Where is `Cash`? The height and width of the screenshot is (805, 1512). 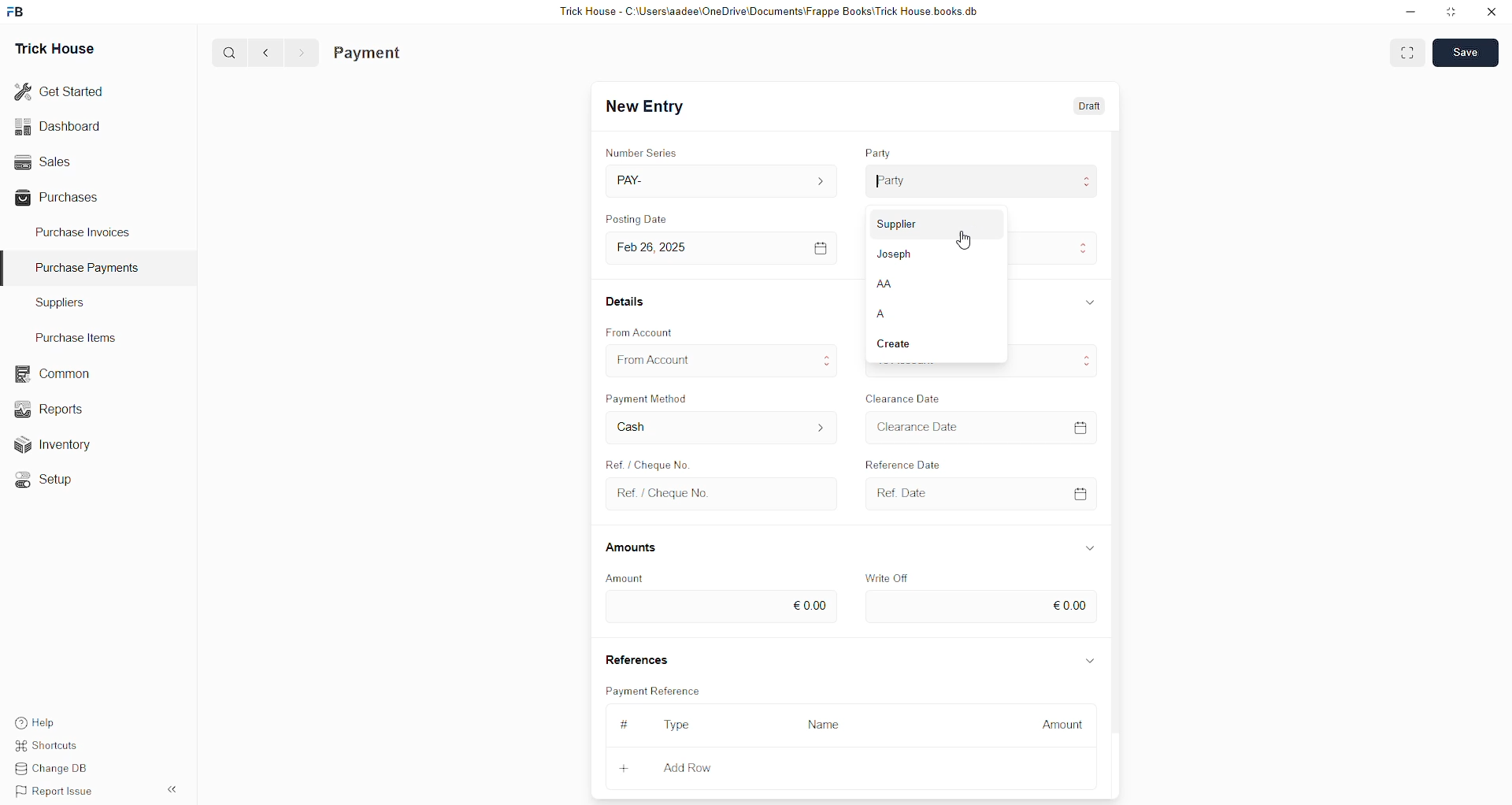 Cash is located at coordinates (719, 429).